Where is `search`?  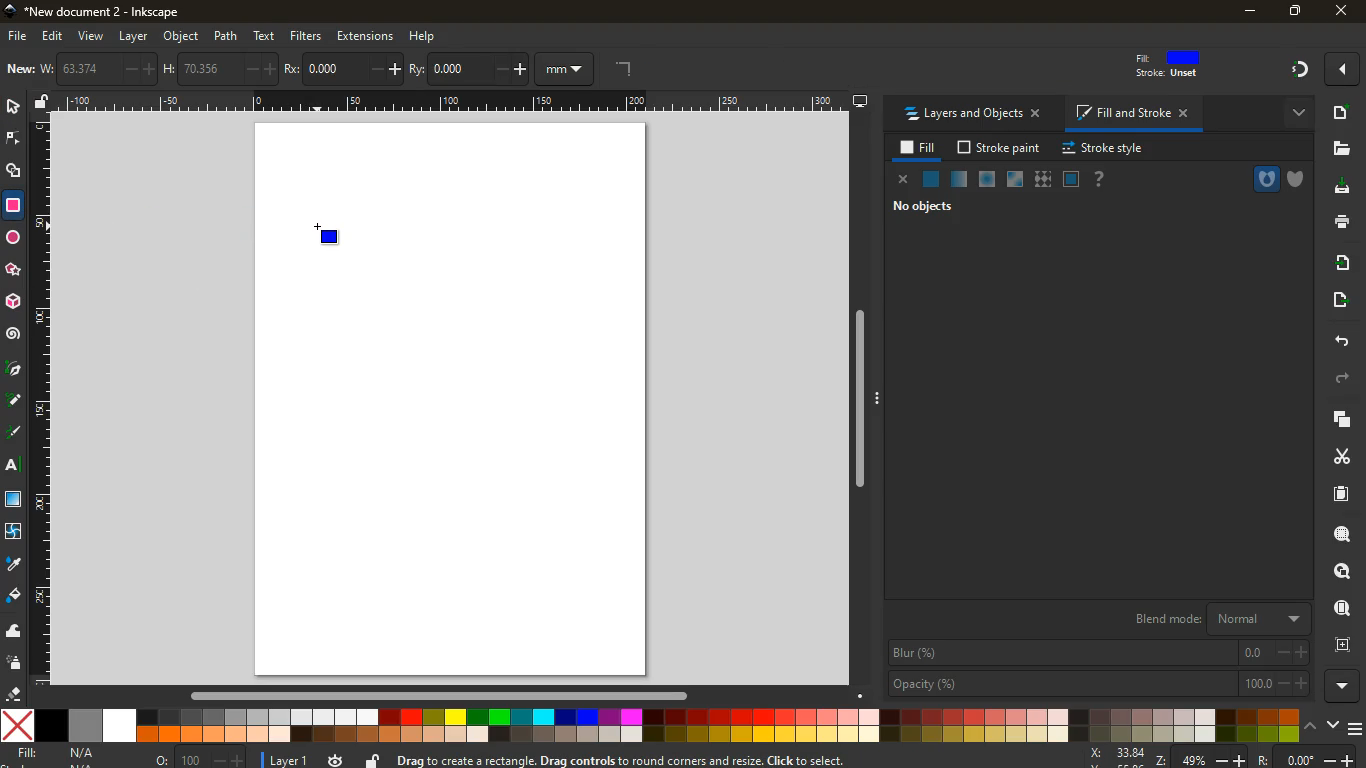
search is located at coordinates (1341, 534).